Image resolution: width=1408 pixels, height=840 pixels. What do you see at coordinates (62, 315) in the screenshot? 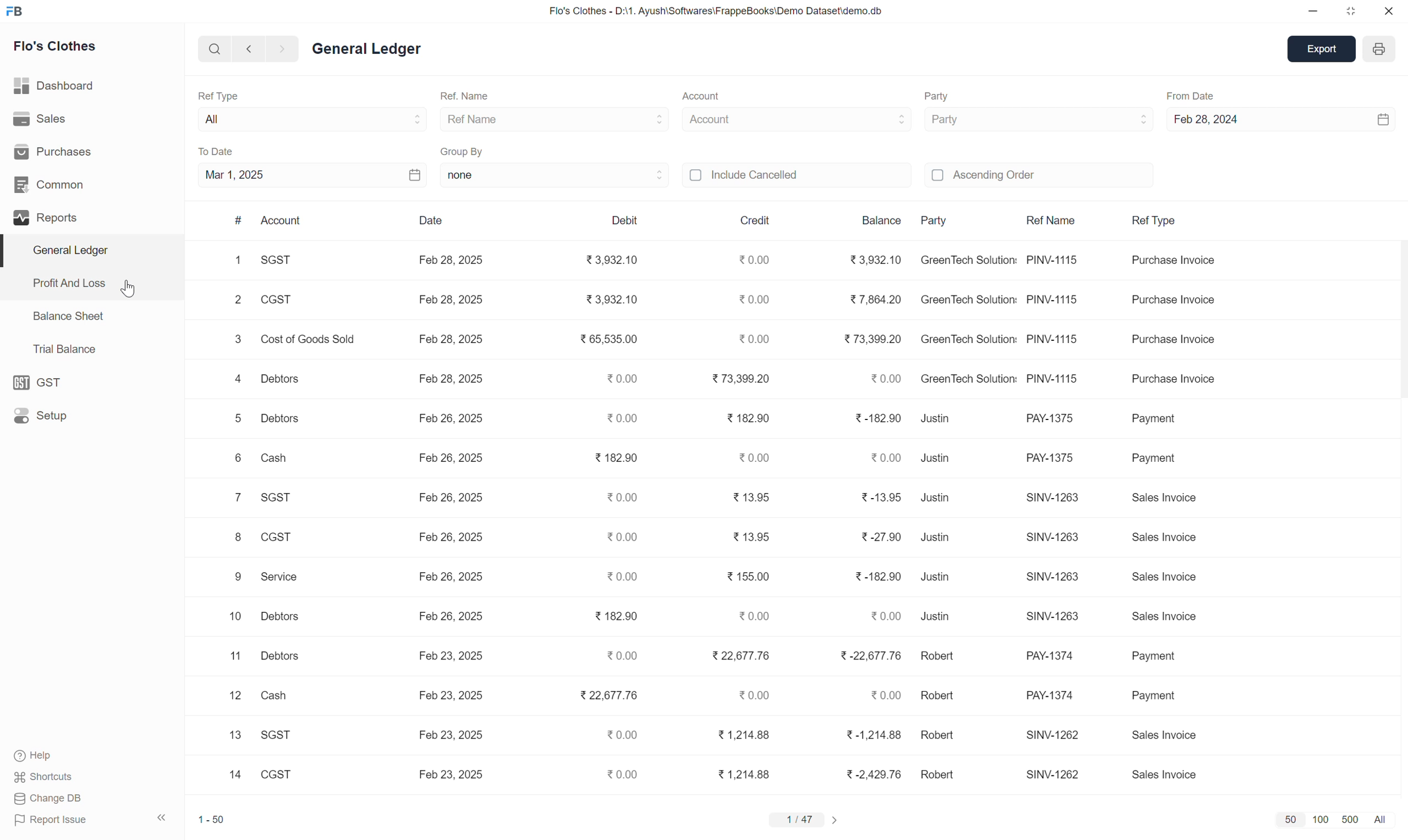
I see `Balance Sheet` at bounding box center [62, 315].